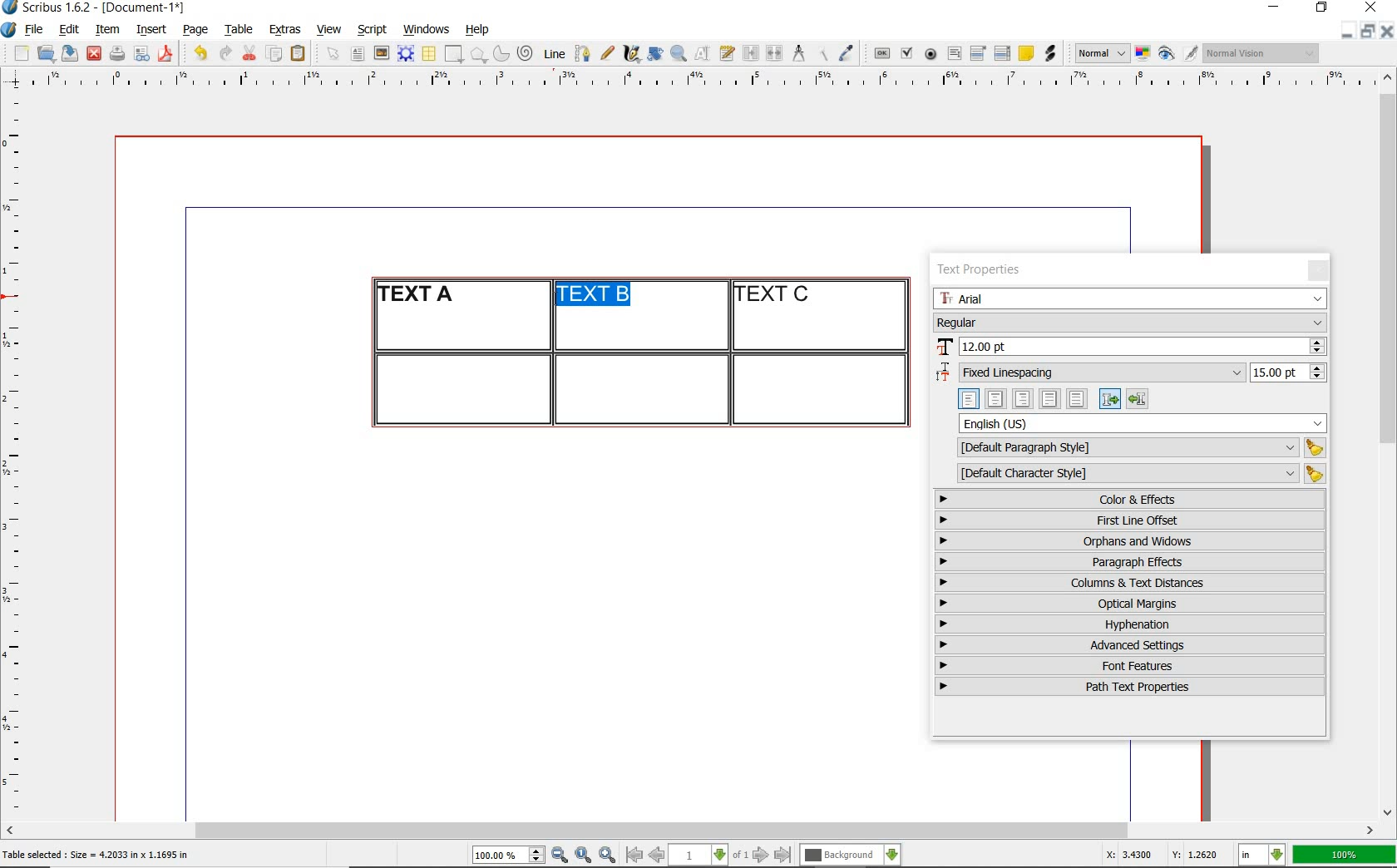  I want to click on eye dropper, so click(846, 55).